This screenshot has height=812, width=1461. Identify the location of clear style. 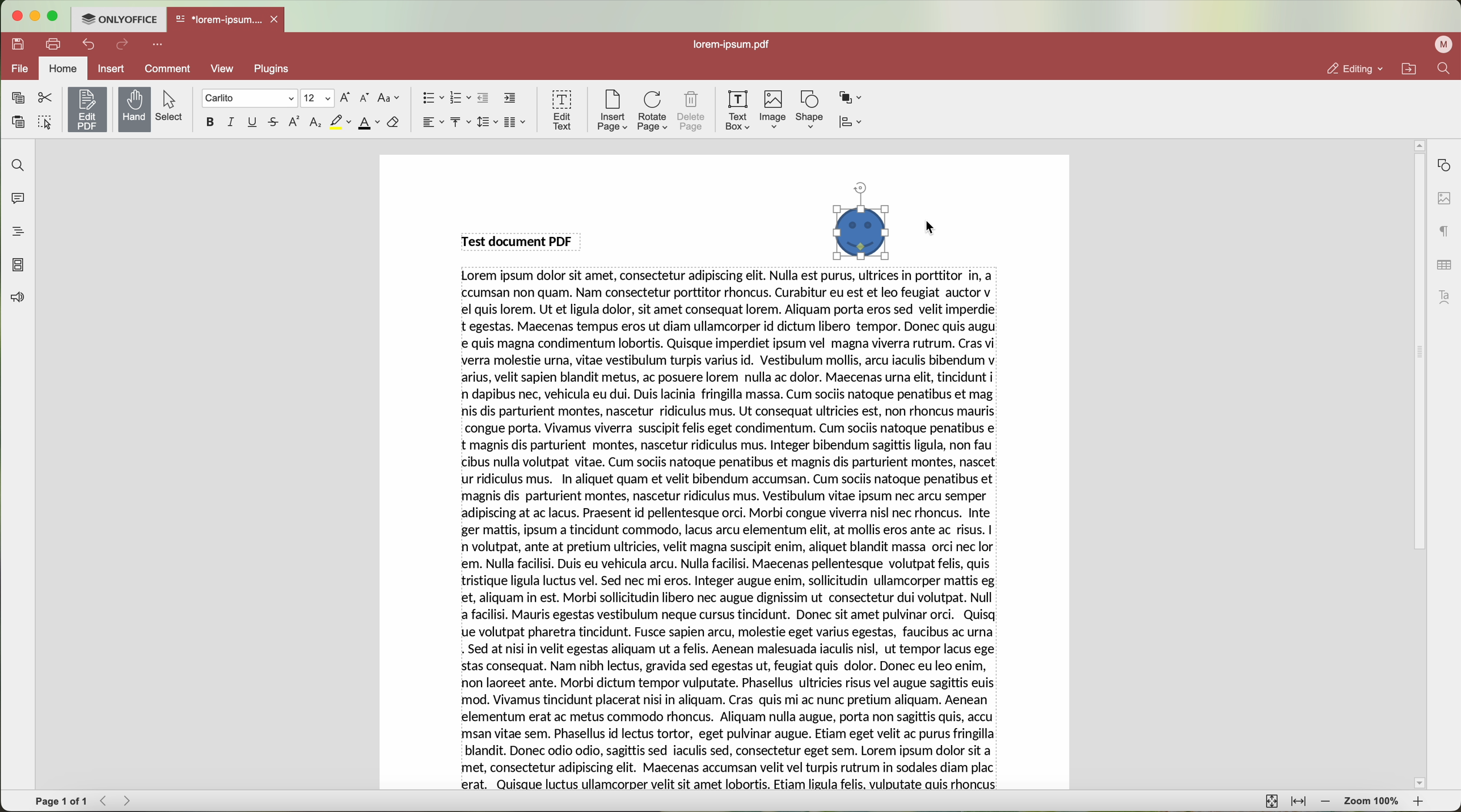
(392, 122).